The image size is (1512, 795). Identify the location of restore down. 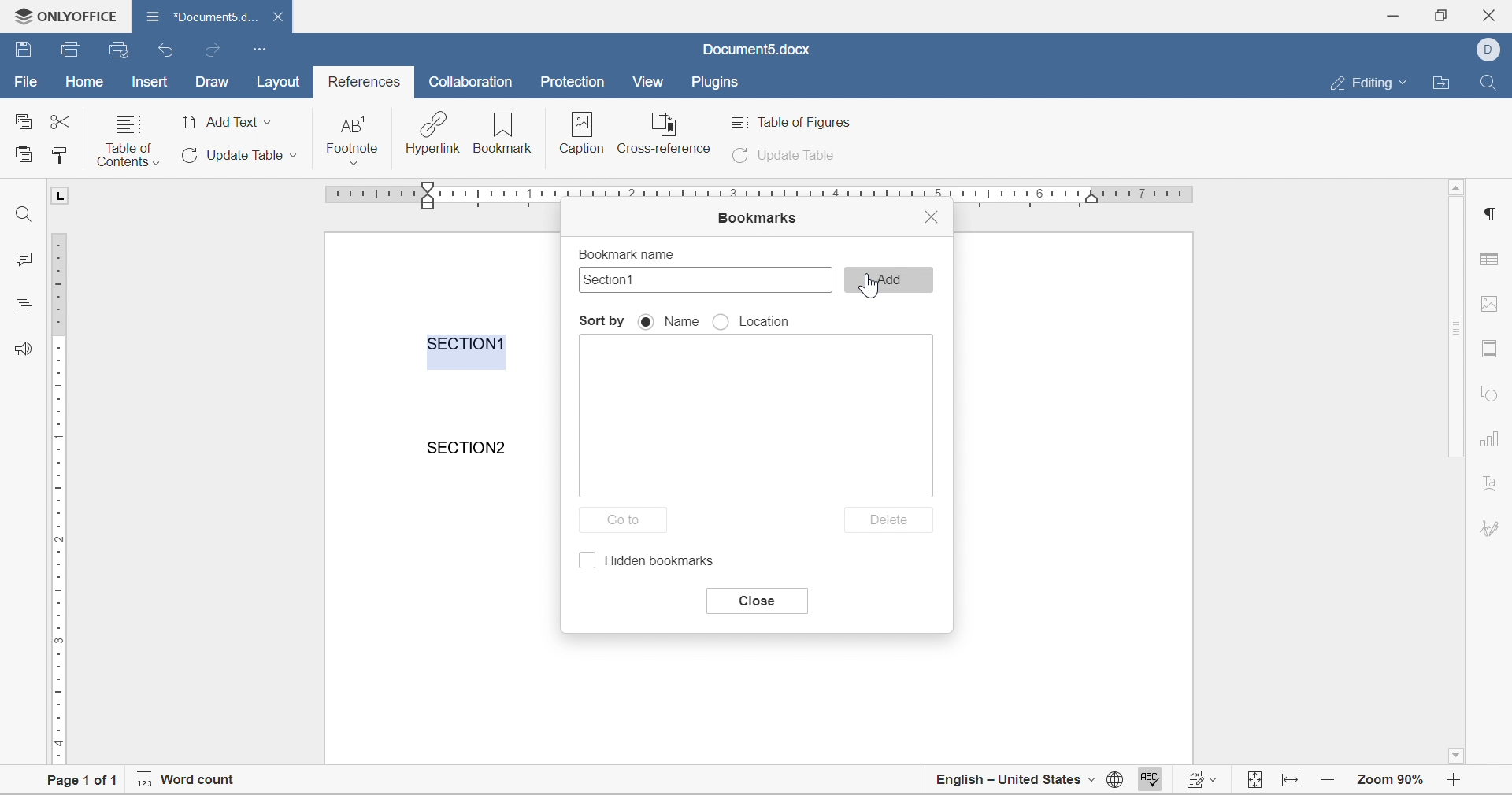
(1439, 14).